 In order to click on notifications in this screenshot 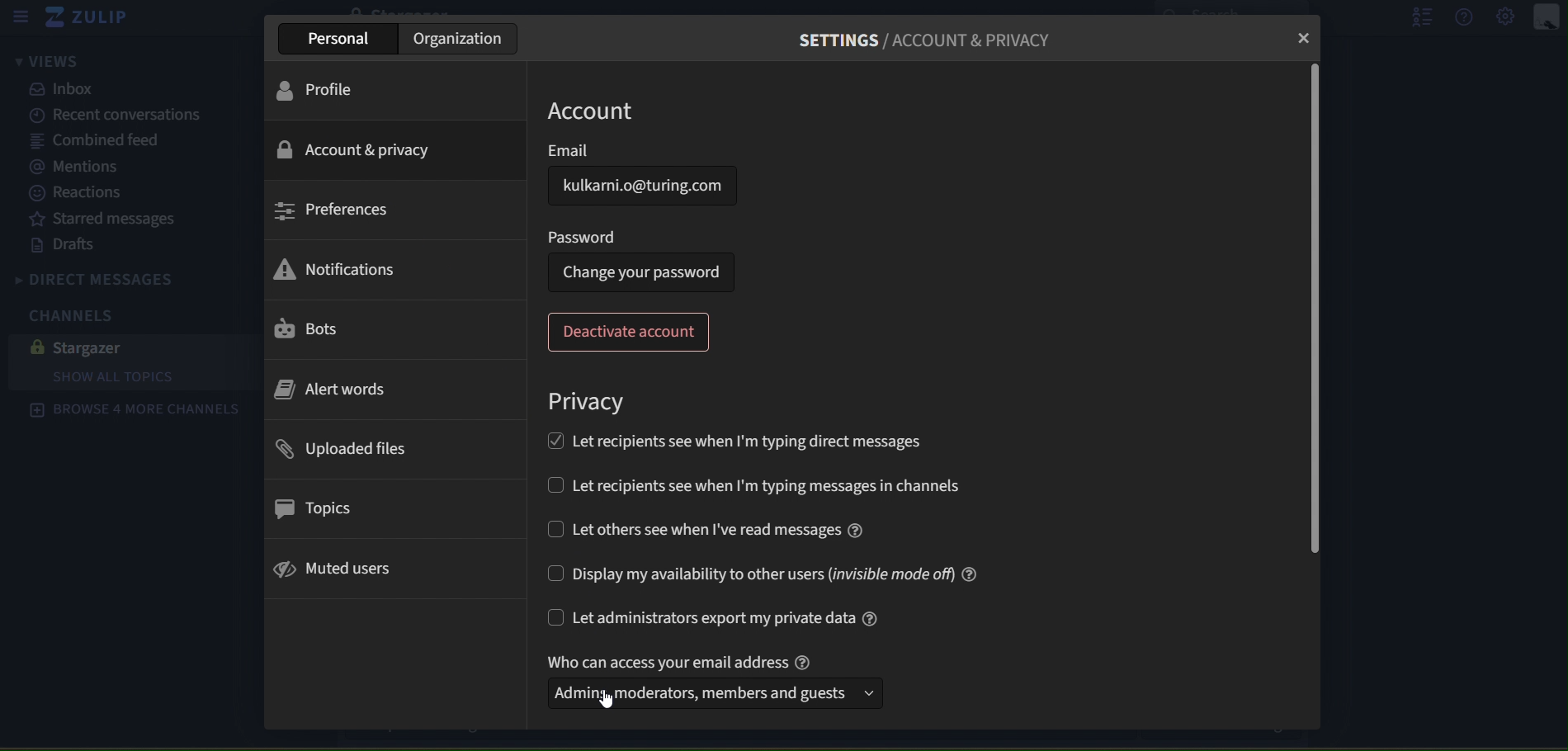, I will do `click(334, 271)`.